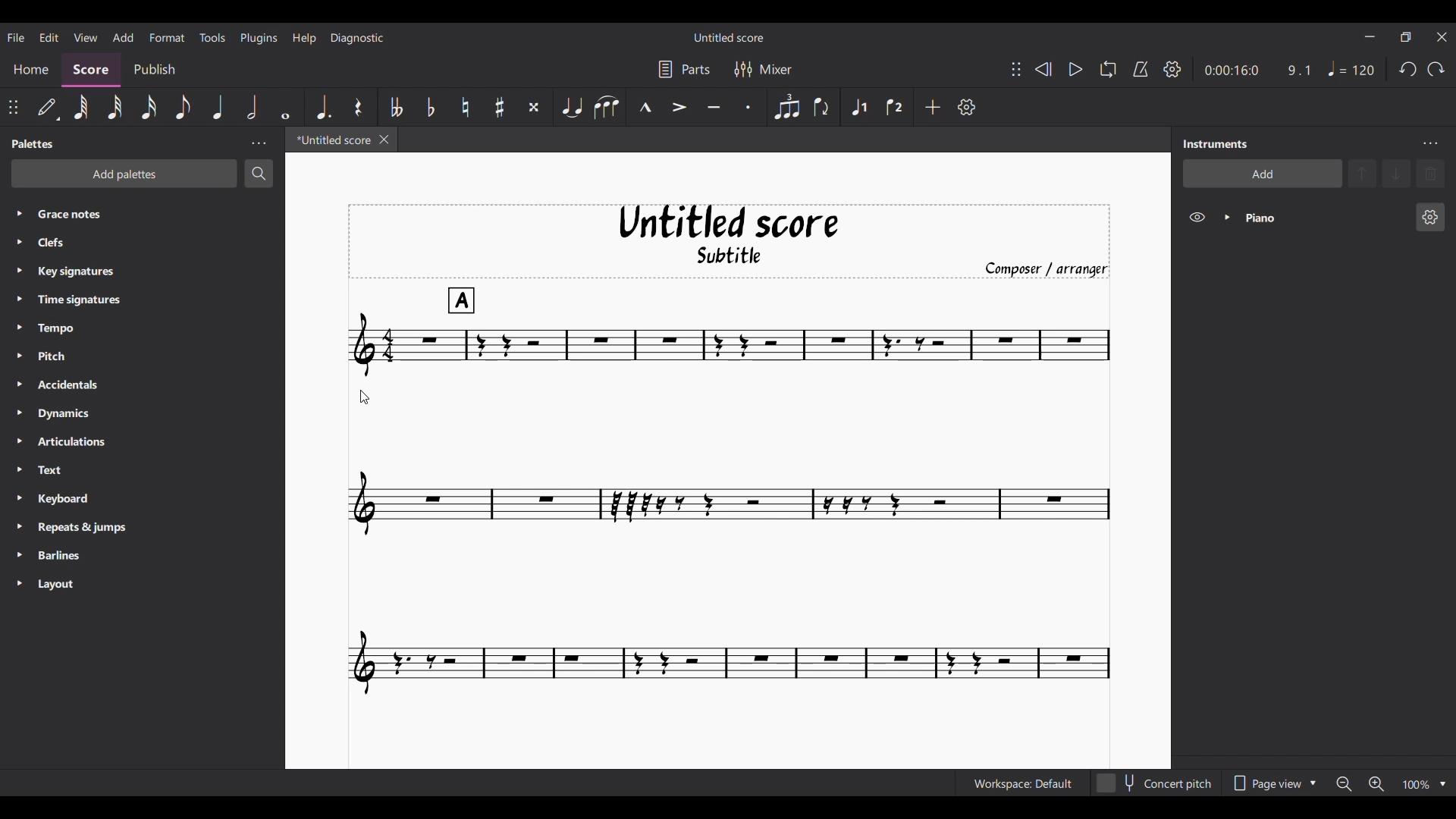 The image size is (1456, 819). What do you see at coordinates (85, 442) in the screenshot?
I see `Articulations` at bounding box center [85, 442].